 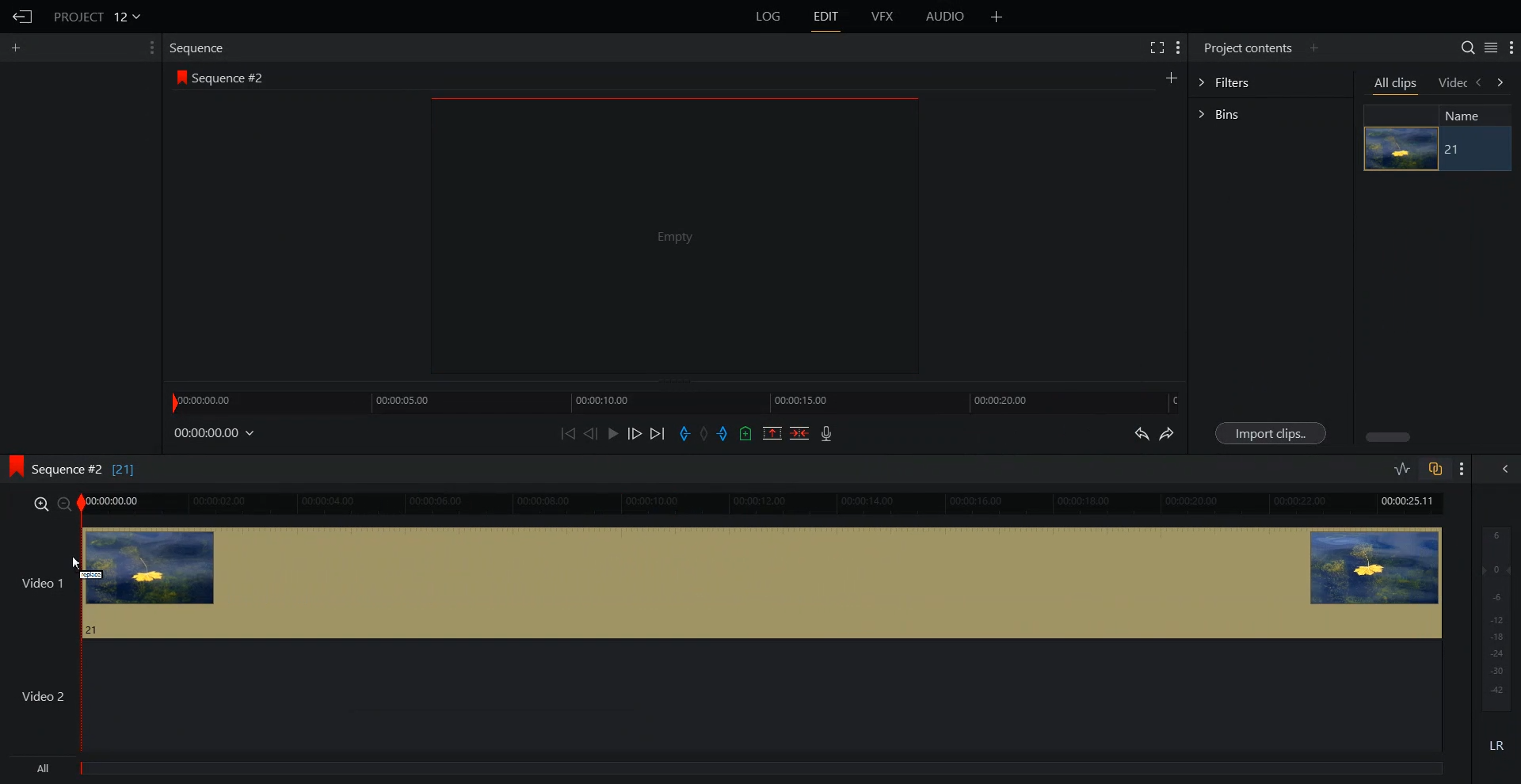 I want to click on Redo, so click(x=1167, y=433).